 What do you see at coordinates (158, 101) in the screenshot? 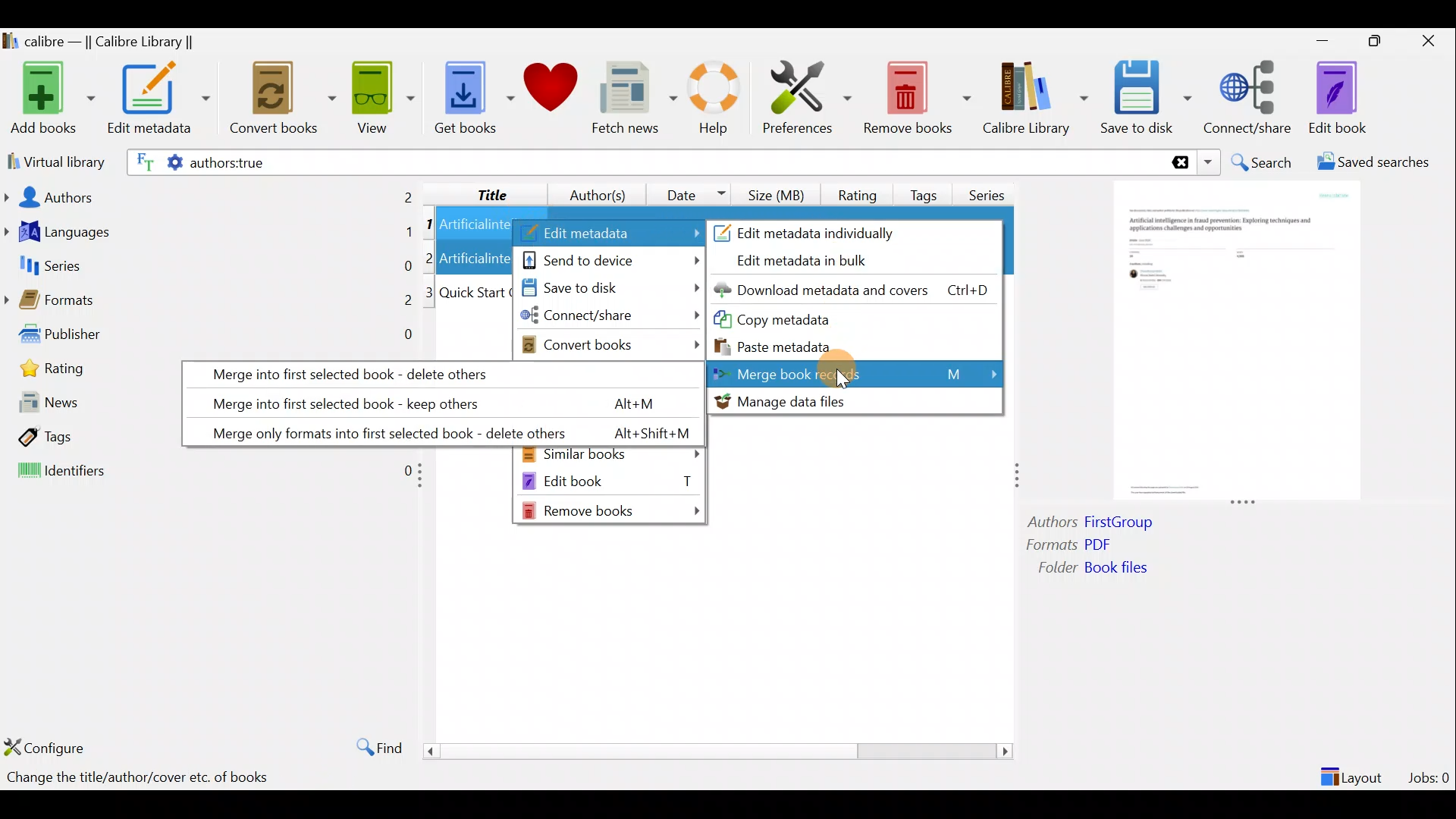
I see `Edit metadata` at bounding box center [158, 101].